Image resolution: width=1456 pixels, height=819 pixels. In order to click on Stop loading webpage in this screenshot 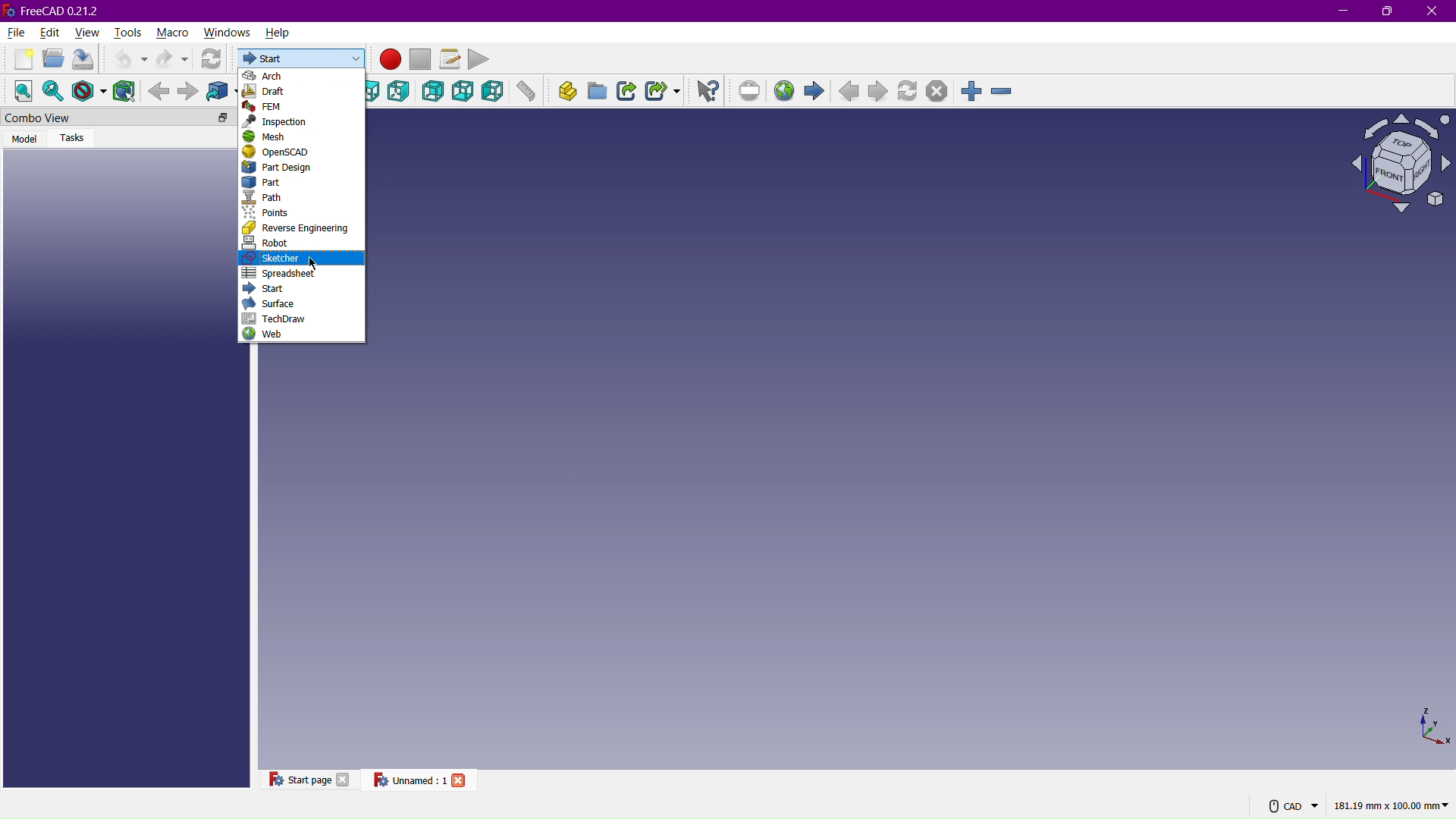, I will do `click(940, 91)`.